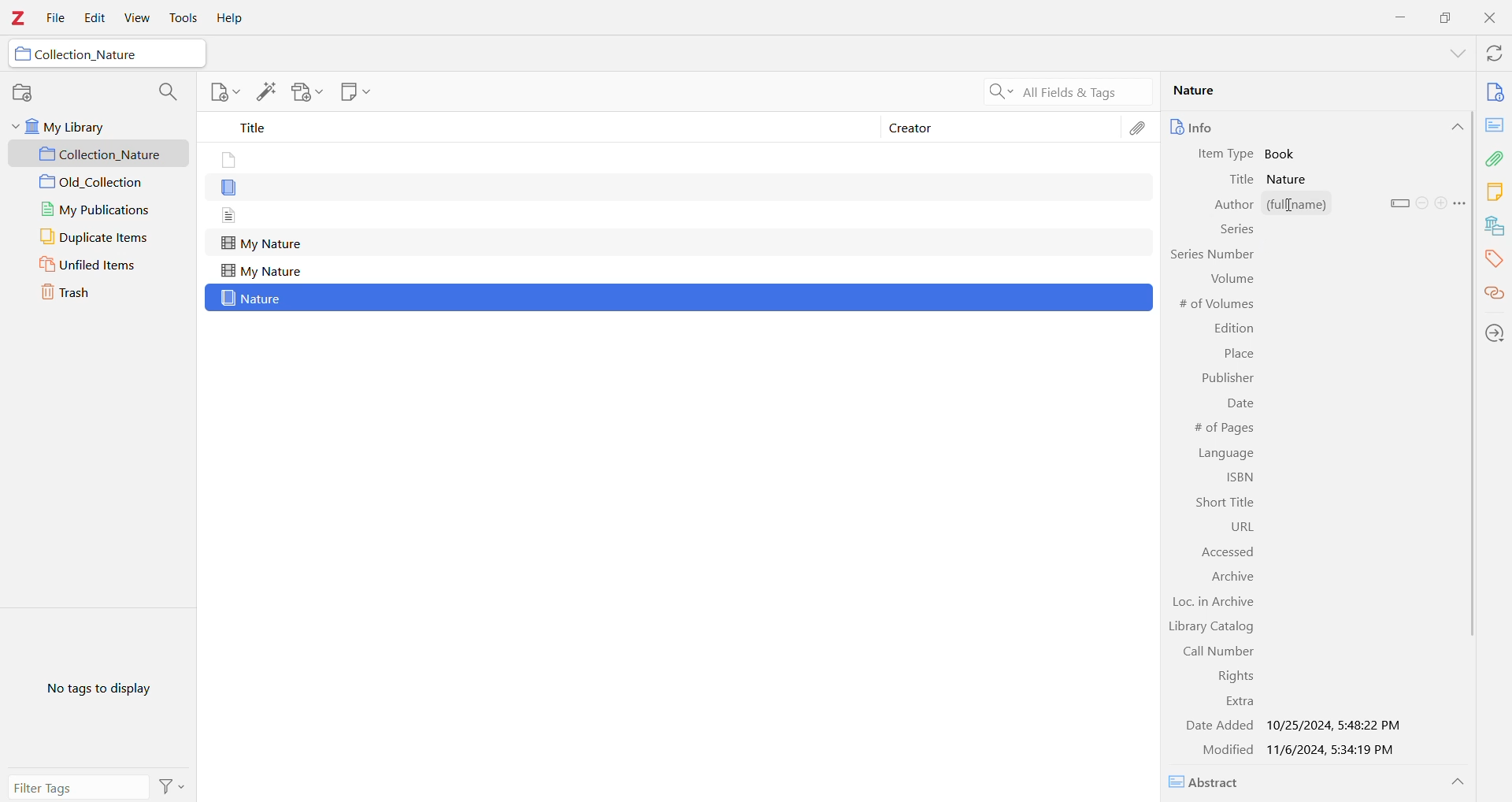 Image resolution: width=1512 pixels, height=802 pixels. What do you see at coordinates (1302, 751) in the screenshot?
I see `Modified 11/6/2024, 5:34:19 PM` at bounding box center [1302, 751].